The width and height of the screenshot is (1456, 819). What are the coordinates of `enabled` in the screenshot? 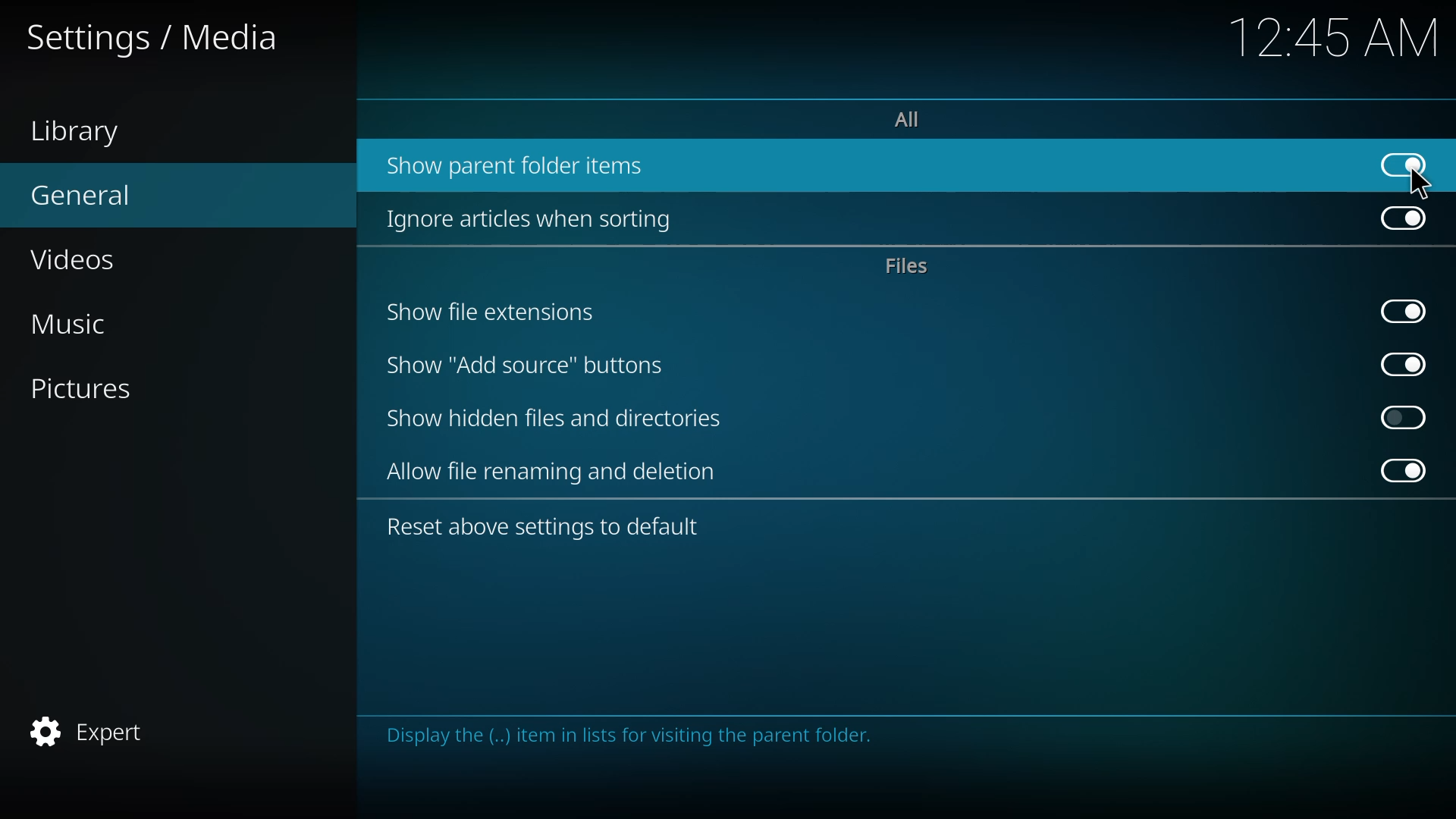 It's located at (1399, 363).